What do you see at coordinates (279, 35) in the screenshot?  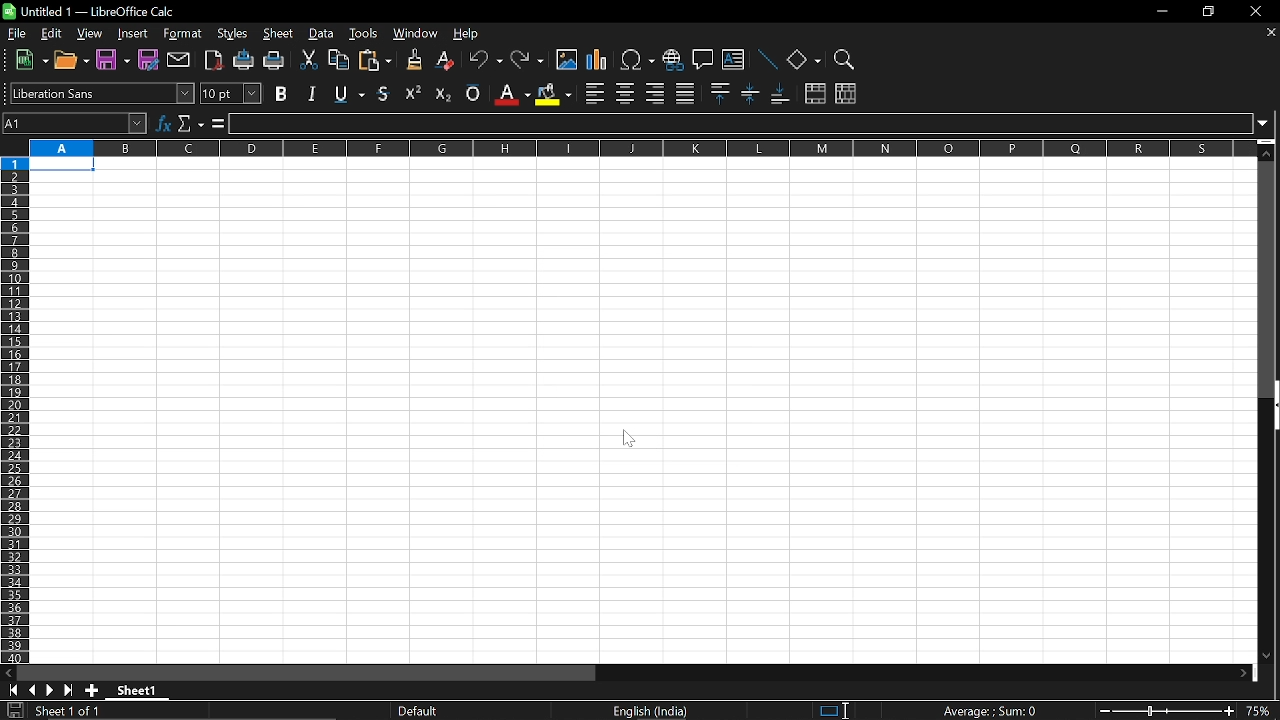 I see `sheet` at bounding box center [279, 35].